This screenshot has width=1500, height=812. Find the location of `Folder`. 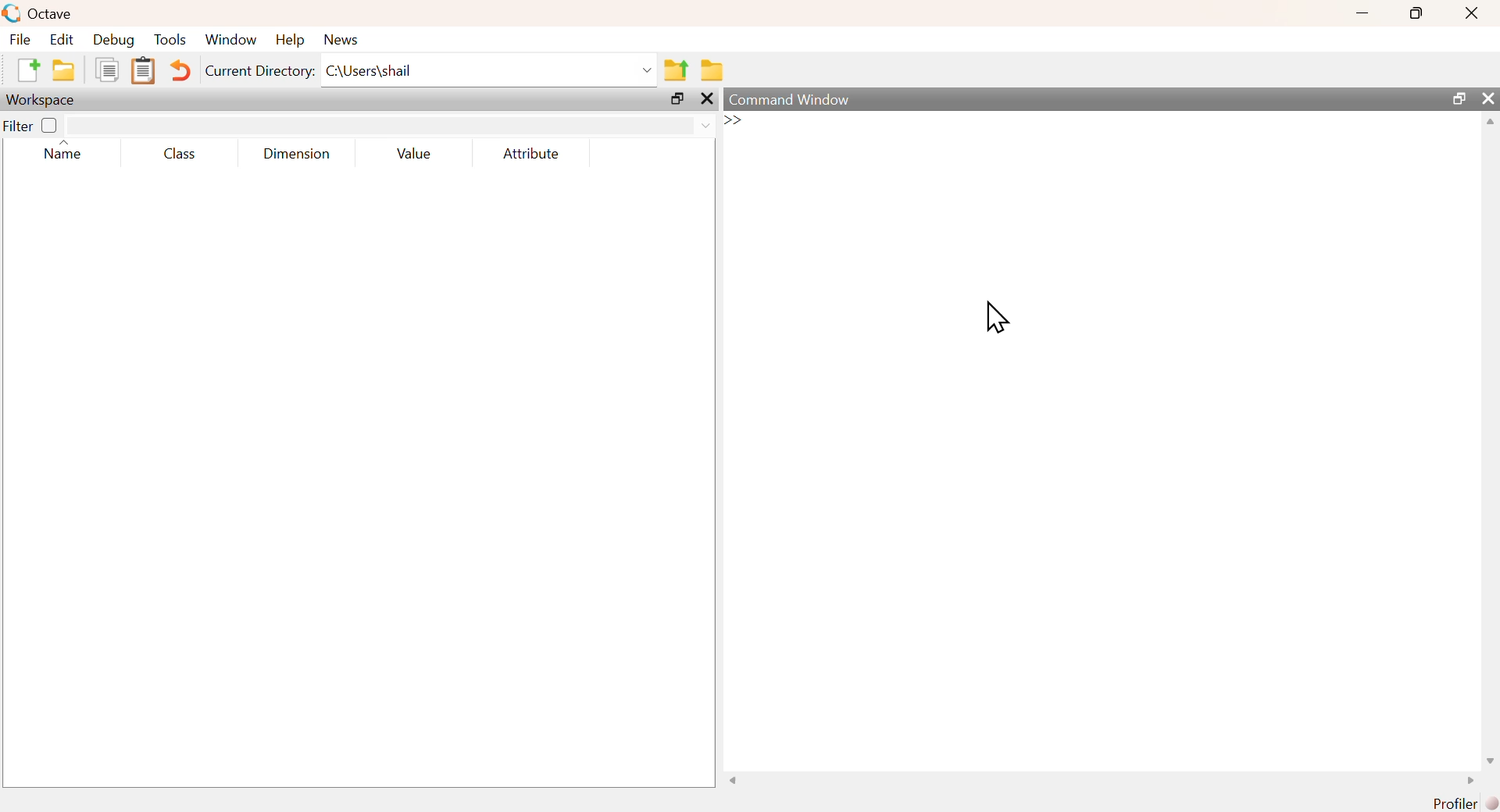

Folder is located at coordinates (712, 70).